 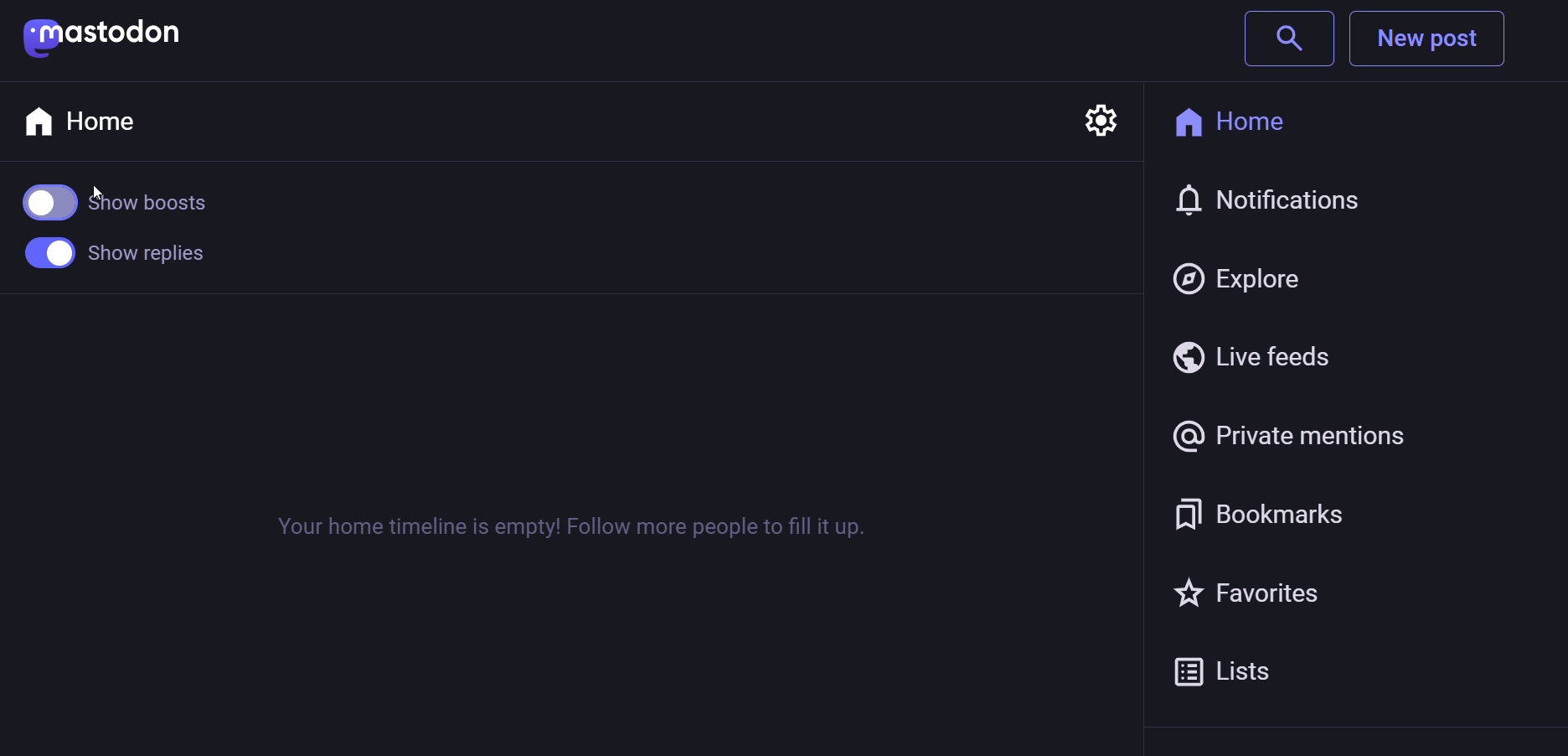 I want to click on Your home timeline is empty! Follow more people to fill it up., so click(x=573, y=523).